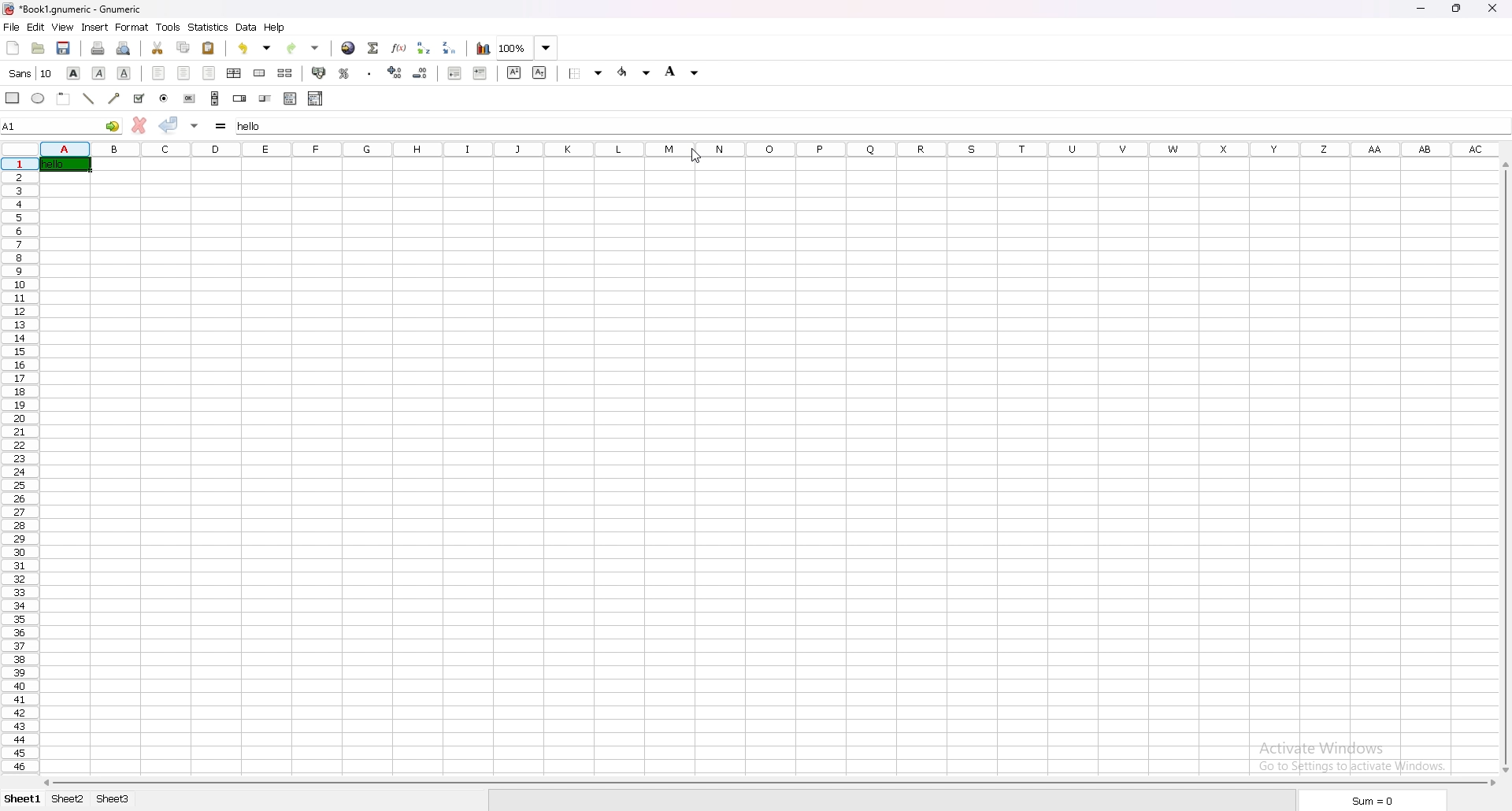 This screenshot has width=1512, height=811. Describe the element at coordinates (39, 98) in the screenshot. I see `ellipse` at that location.